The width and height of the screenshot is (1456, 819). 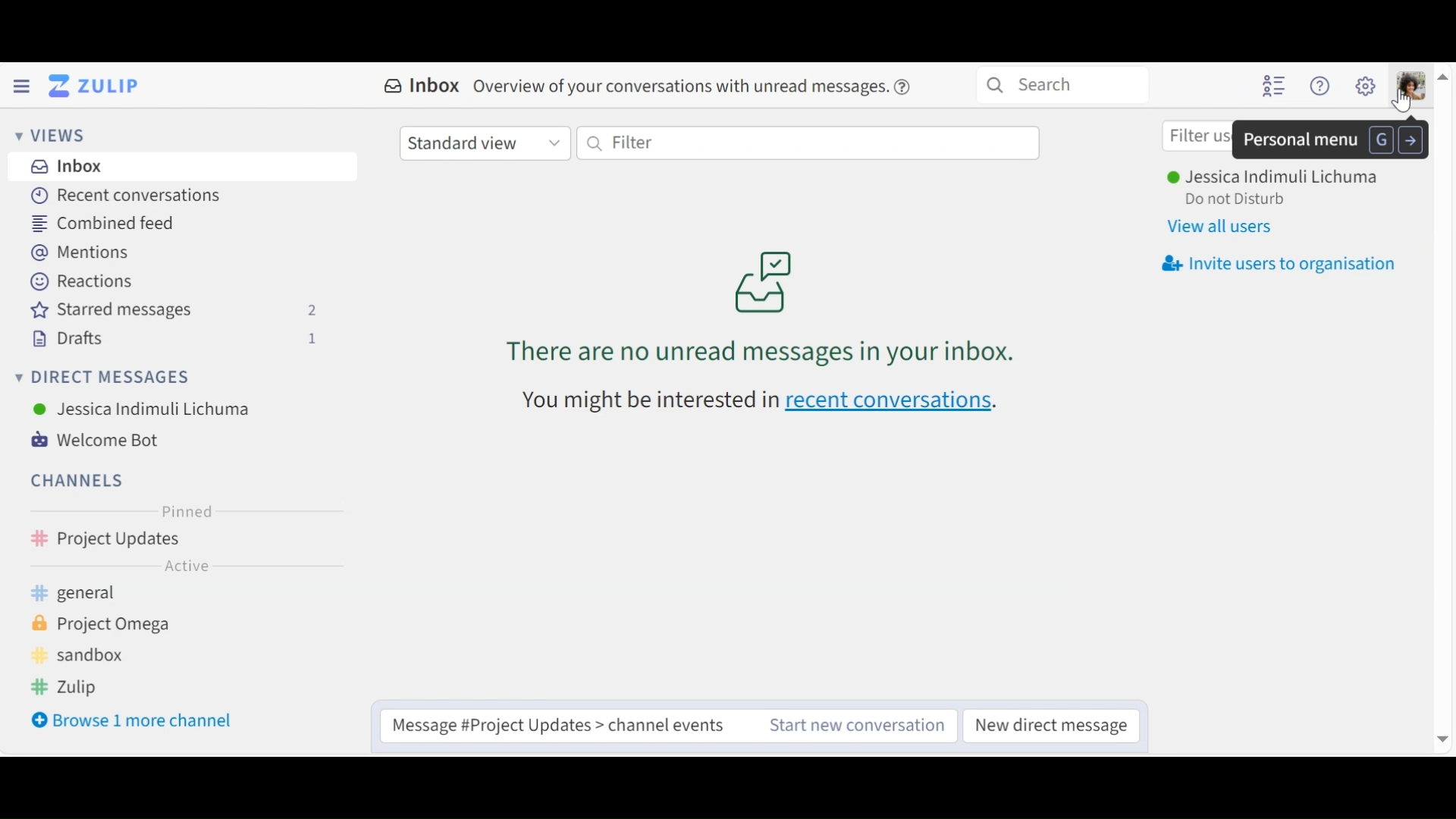 What do you see at coordinates (632, 84) in the screenshot?
I see `Inbox Overview of your conversations with unread messages` at bounding box center [632, 84].